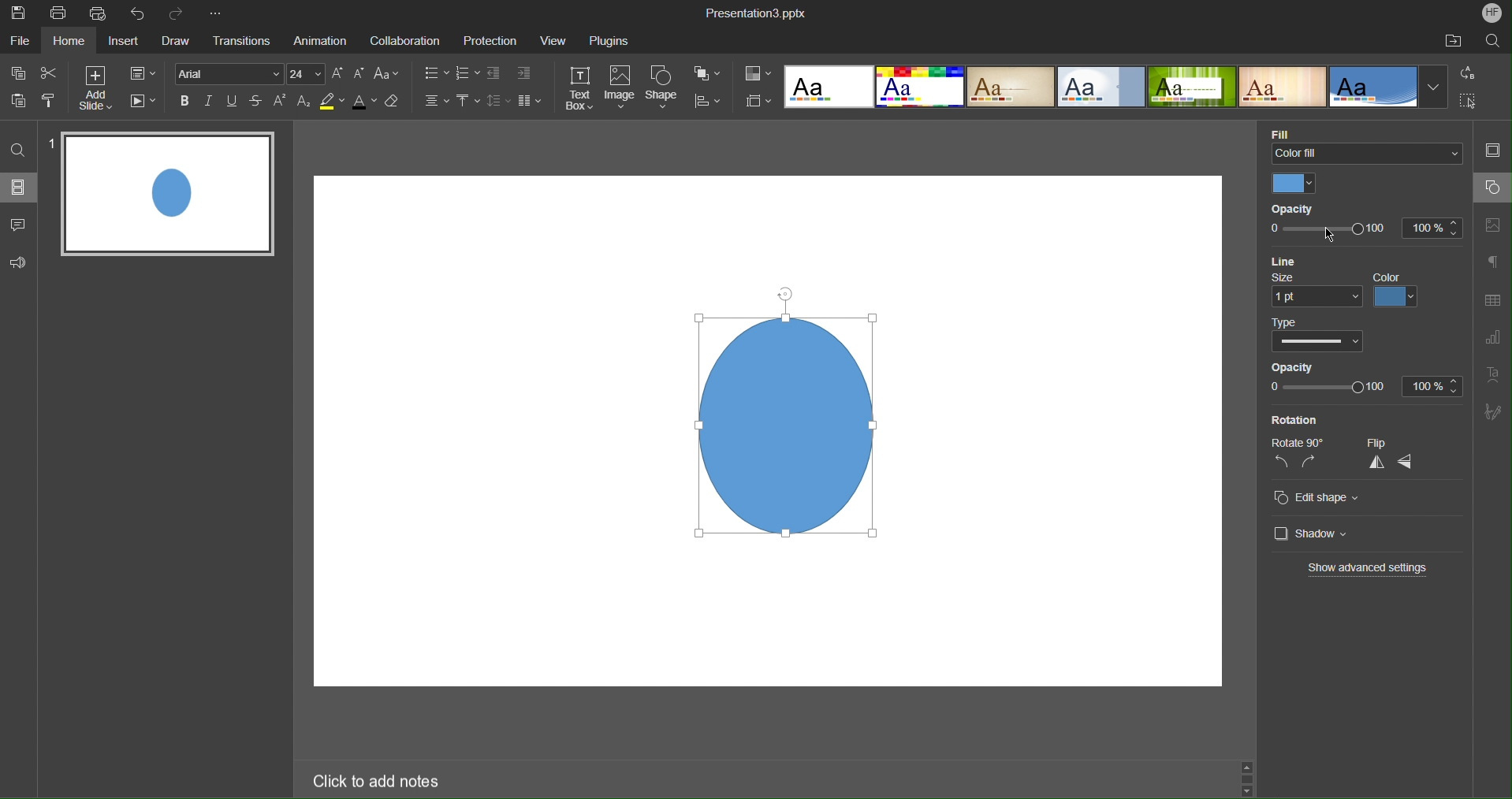 The height and width of the screenshot is (799, 1512). Describe the element at coordinates (1493, 263) in the screenshot. I see `Non-Printing Characters` at that location.